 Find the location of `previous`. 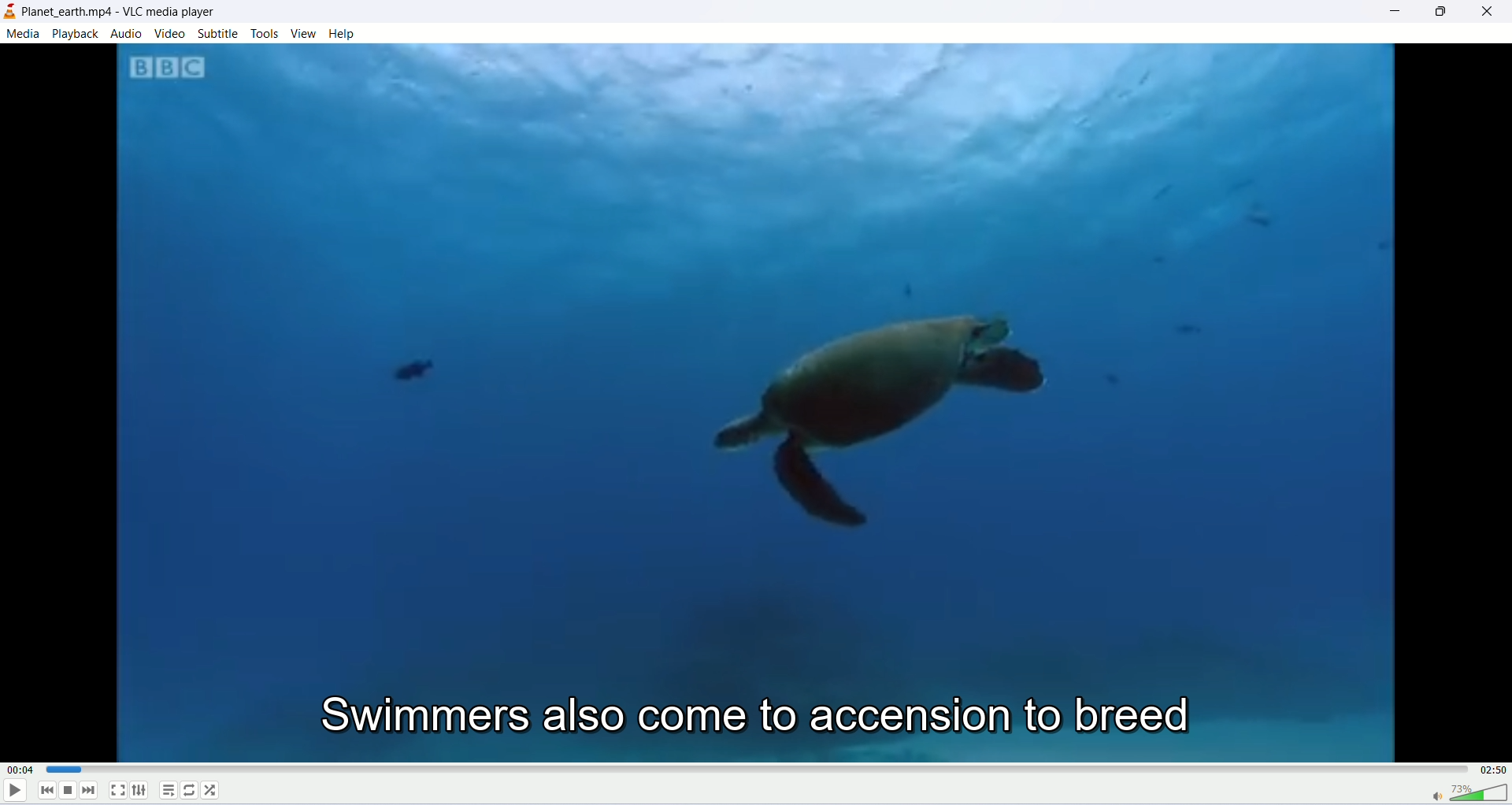

previous is located at coordinates (50, 793).